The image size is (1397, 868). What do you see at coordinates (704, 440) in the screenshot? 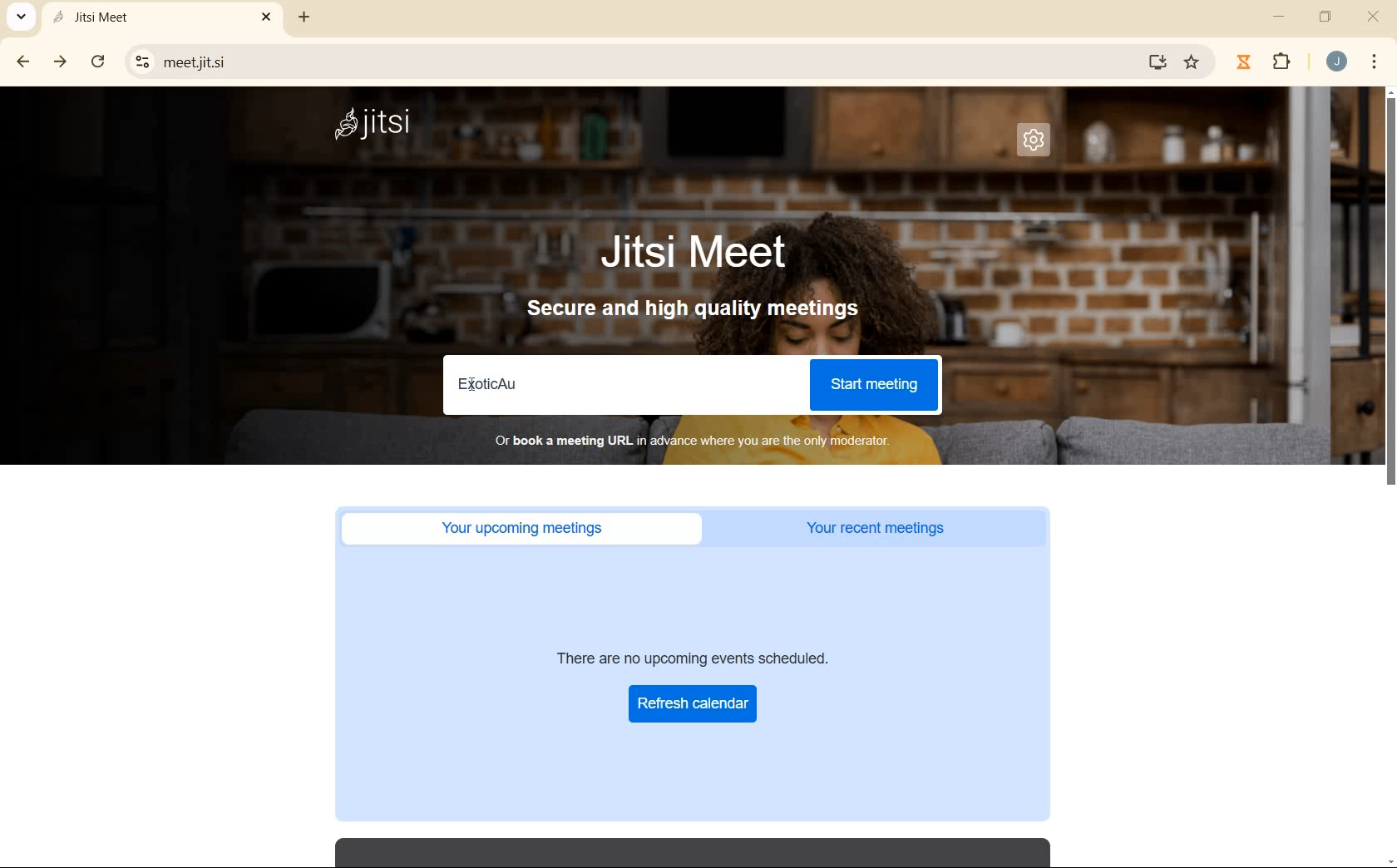
I see `or book a meeting URL in advance` at bounding box center [704, 440].